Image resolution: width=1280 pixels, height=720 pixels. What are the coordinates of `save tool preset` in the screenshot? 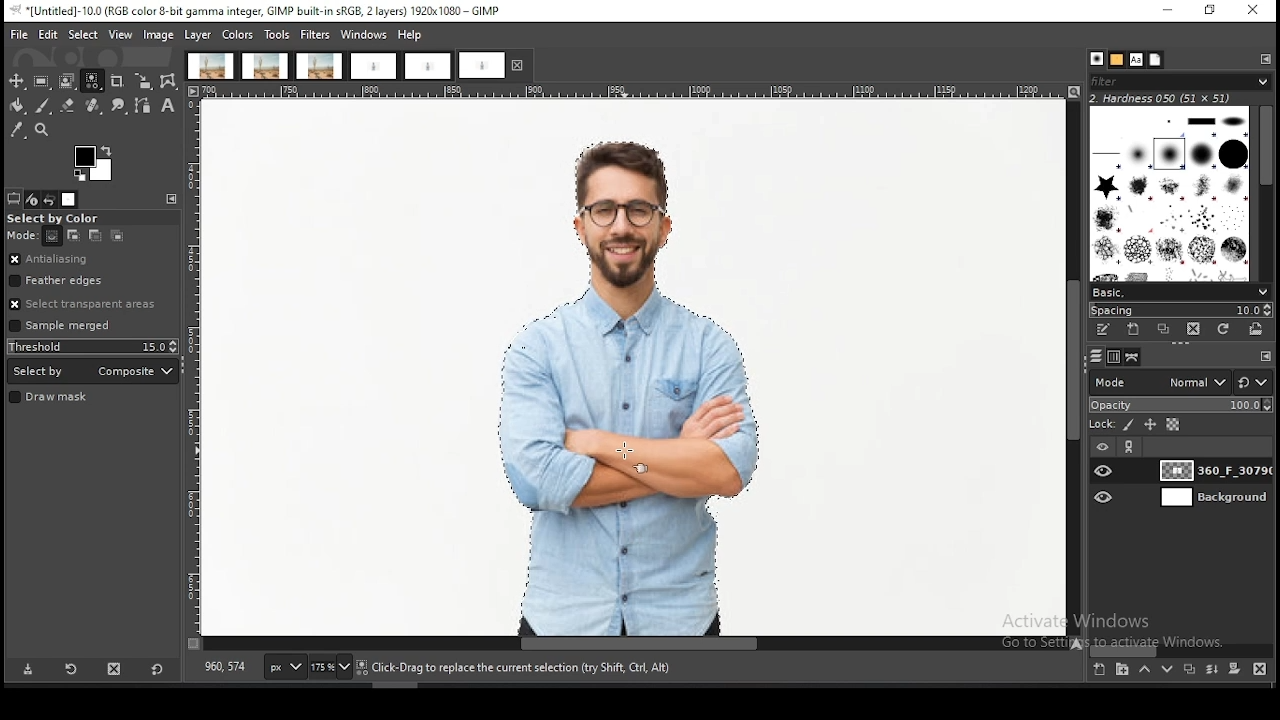 It's located at (27, 669).